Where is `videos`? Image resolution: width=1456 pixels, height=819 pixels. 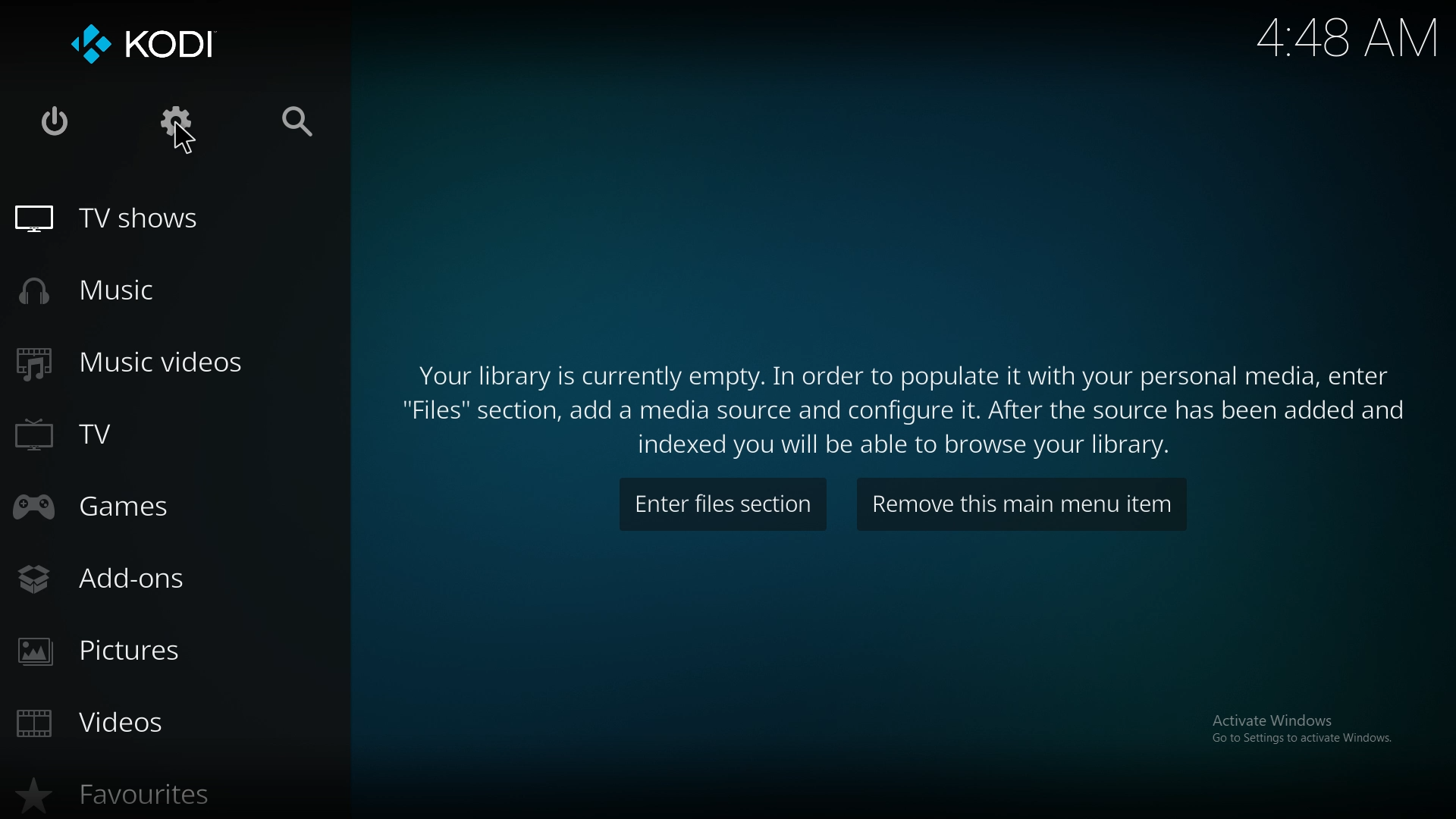 videos is located at coordinates (117, 720).